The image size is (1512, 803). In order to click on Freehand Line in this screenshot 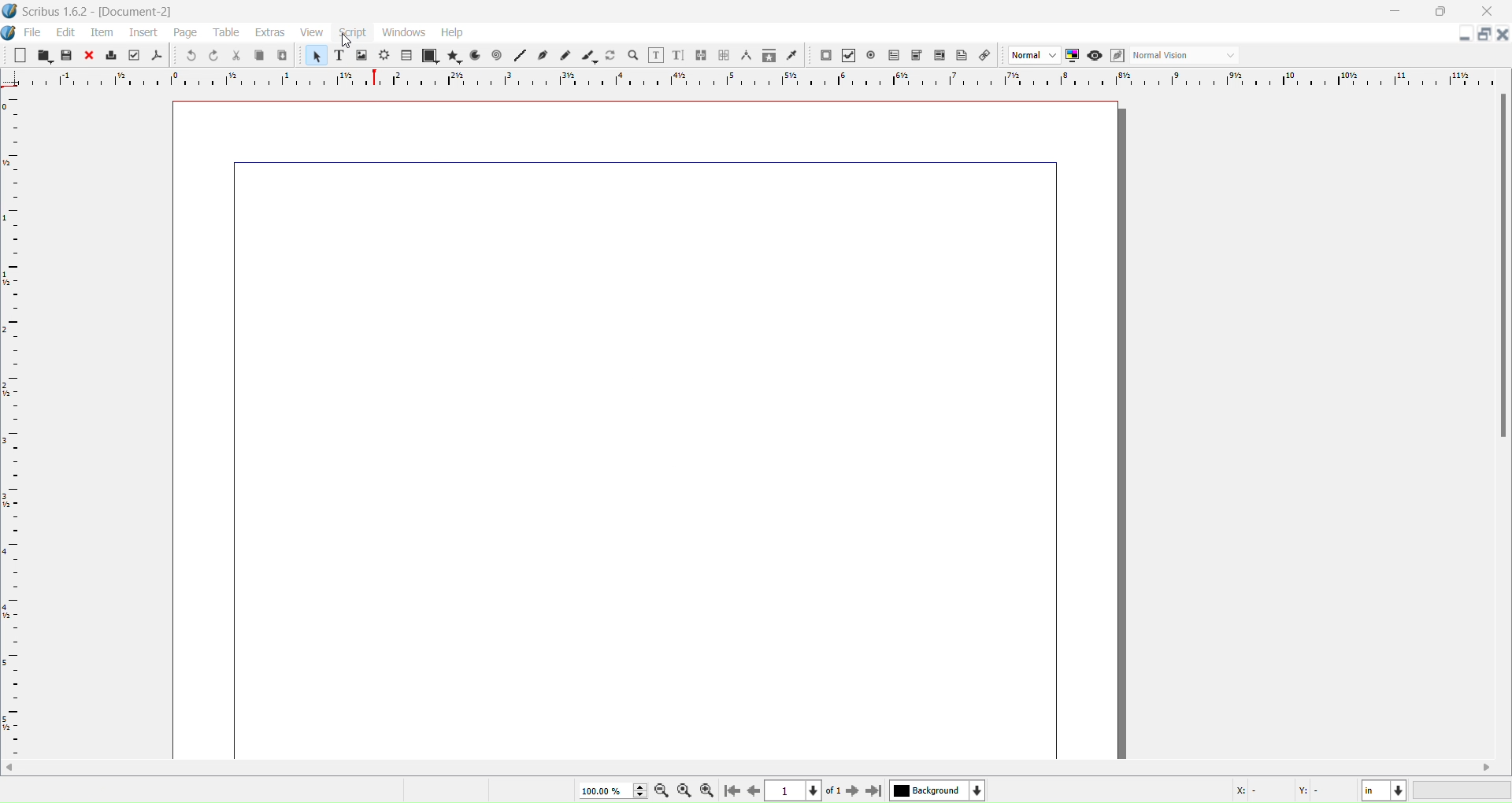, I will do `click(564, 56)`.